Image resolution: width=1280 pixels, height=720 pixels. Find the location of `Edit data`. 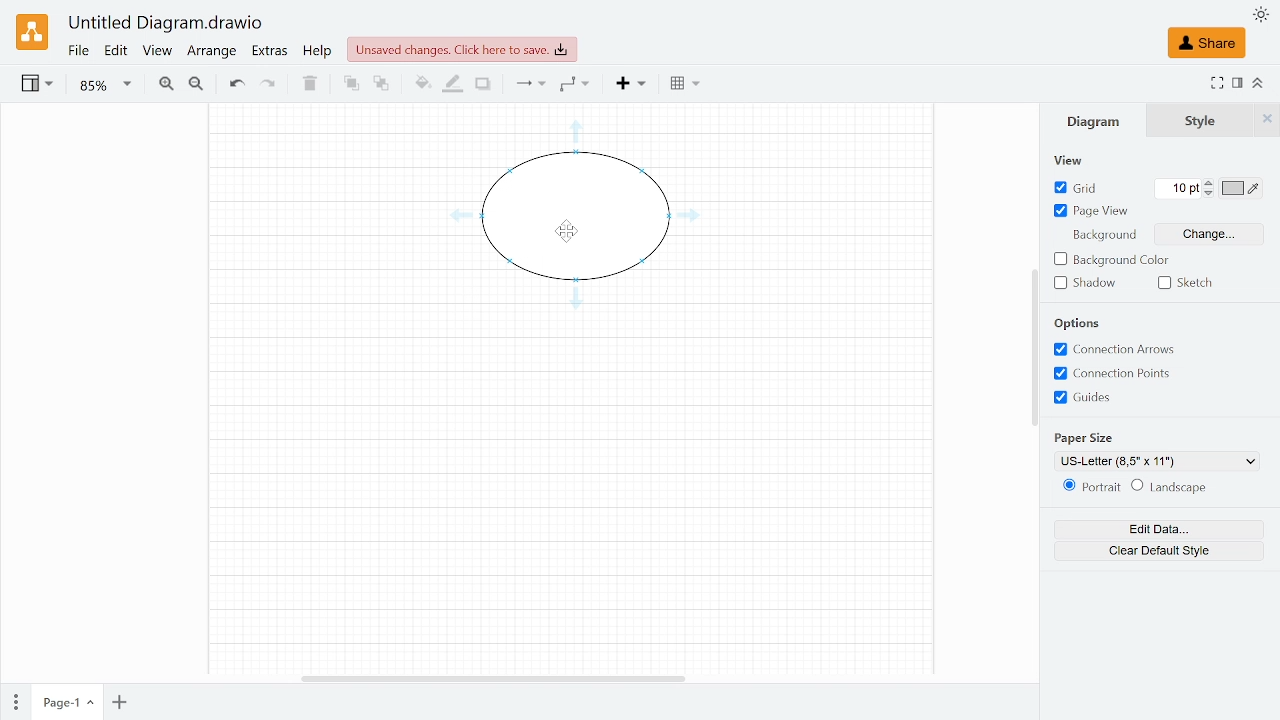

Edit data is located at coordinates (1158, 529).